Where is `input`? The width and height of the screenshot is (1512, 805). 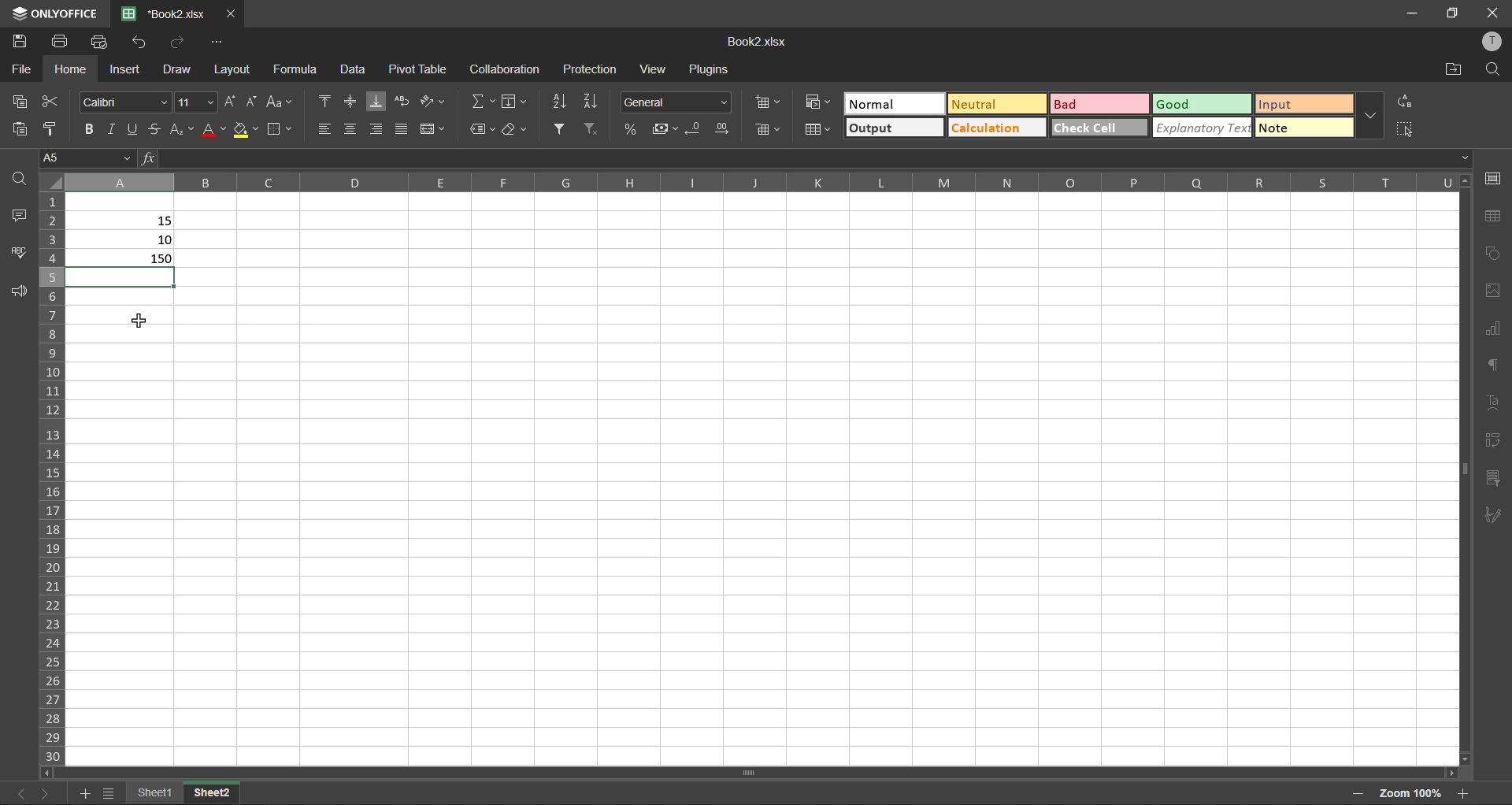 input is located at coordinates (1303, 105).